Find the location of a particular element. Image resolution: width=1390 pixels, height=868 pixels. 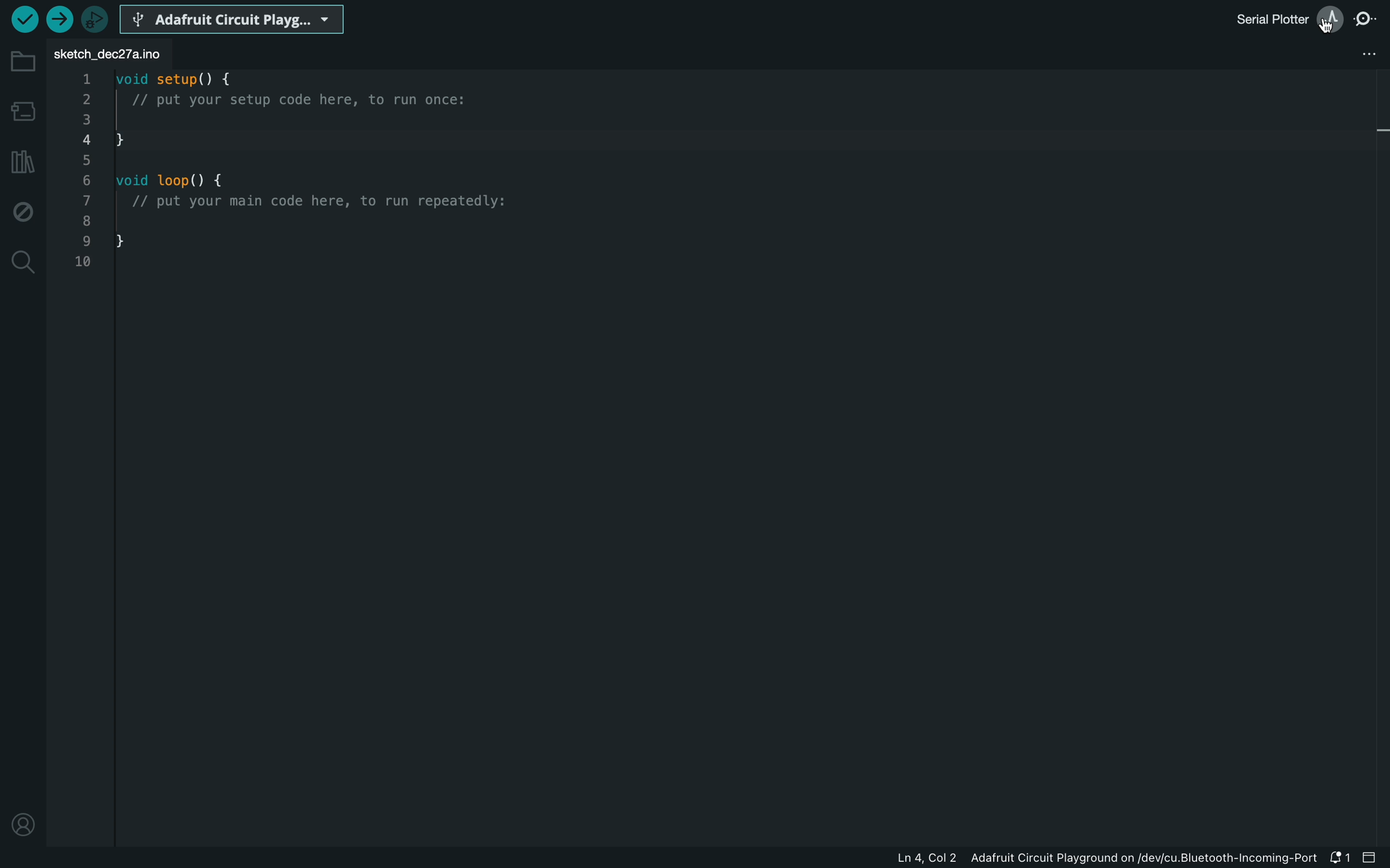

serial monitor is located at coordinates (1367, 17).